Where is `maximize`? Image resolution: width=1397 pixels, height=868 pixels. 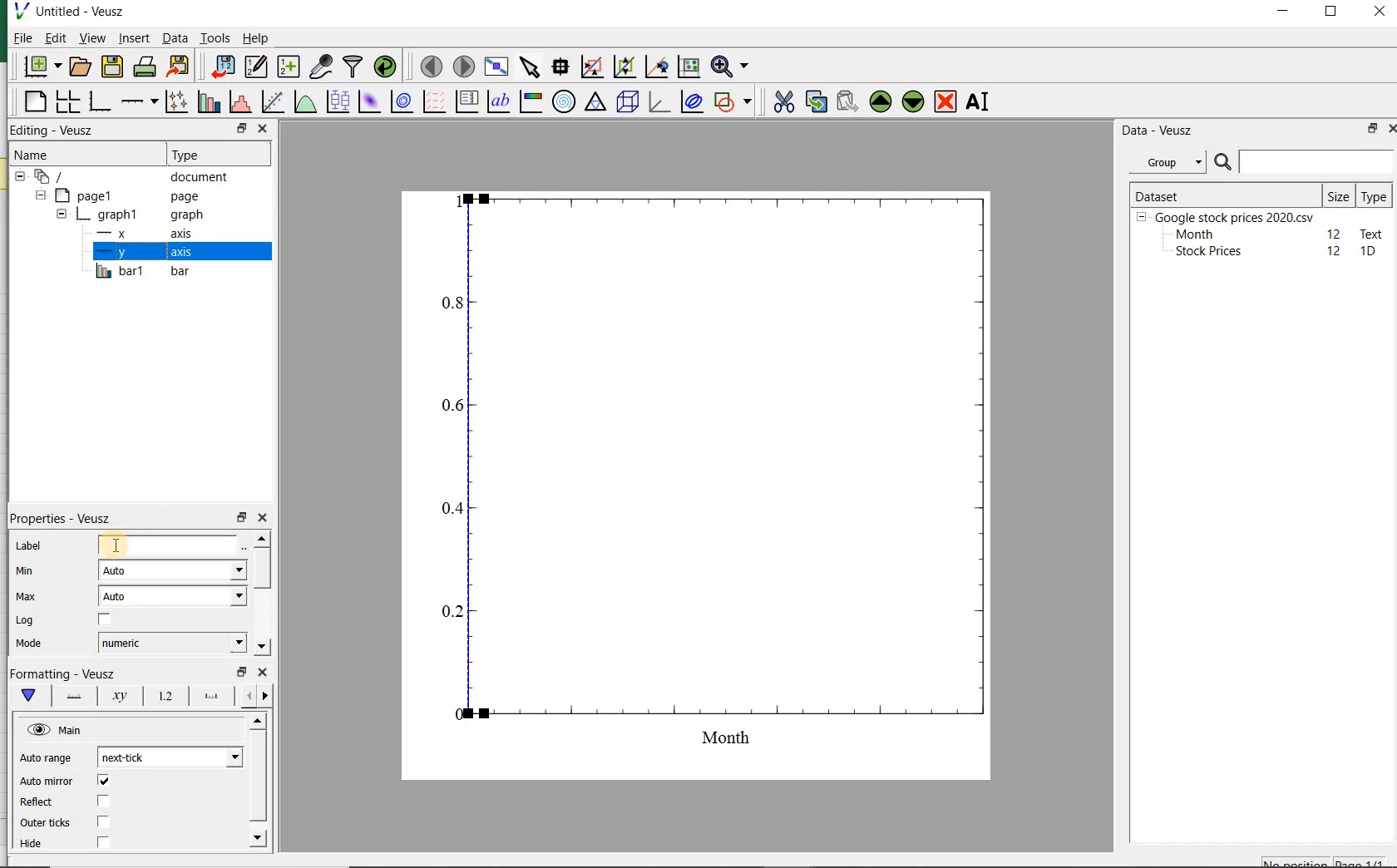
maximize is located at coordinates (1334, 13).